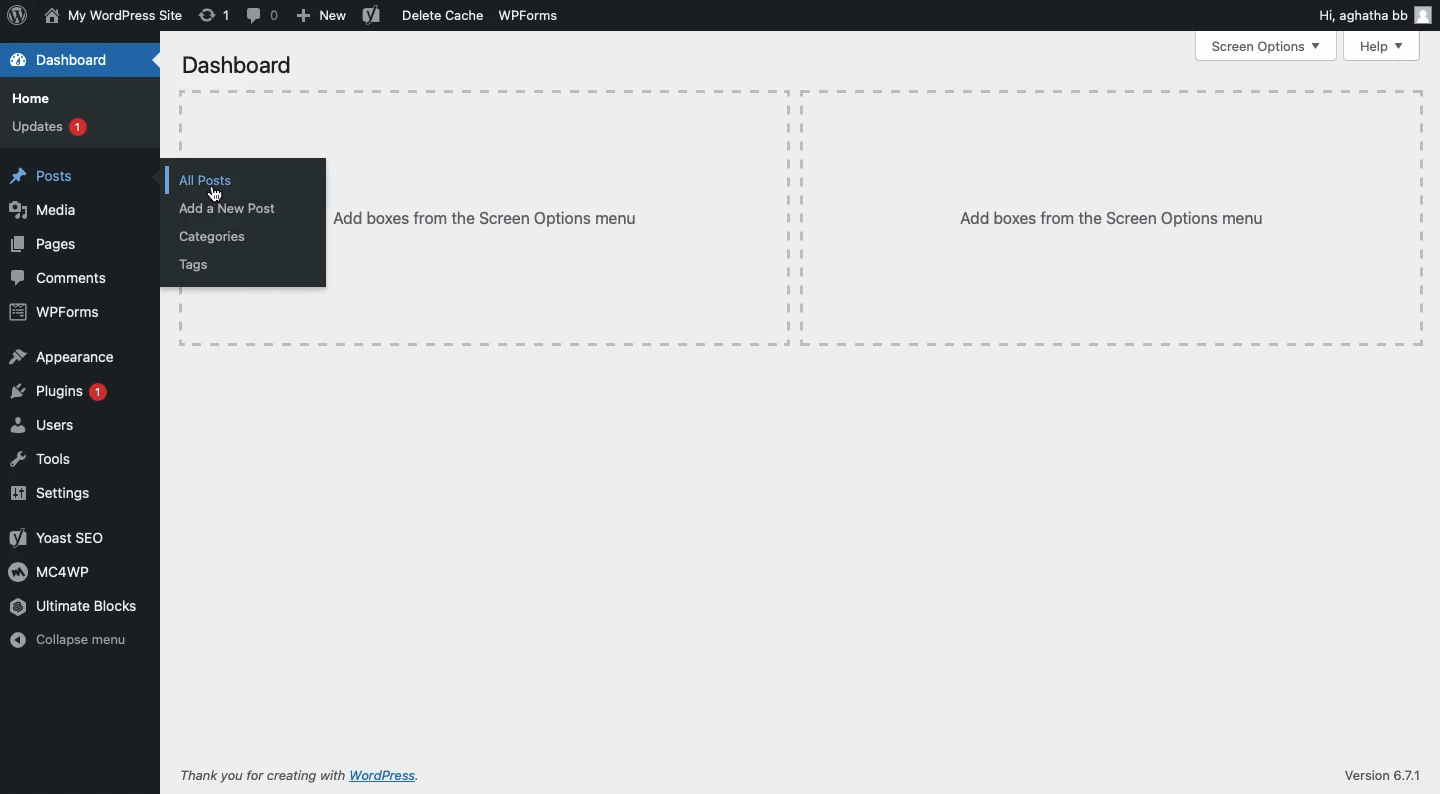 The height and width of the screenshot is (794, 1440). I want to click on Dashboard, so click(66, 62).